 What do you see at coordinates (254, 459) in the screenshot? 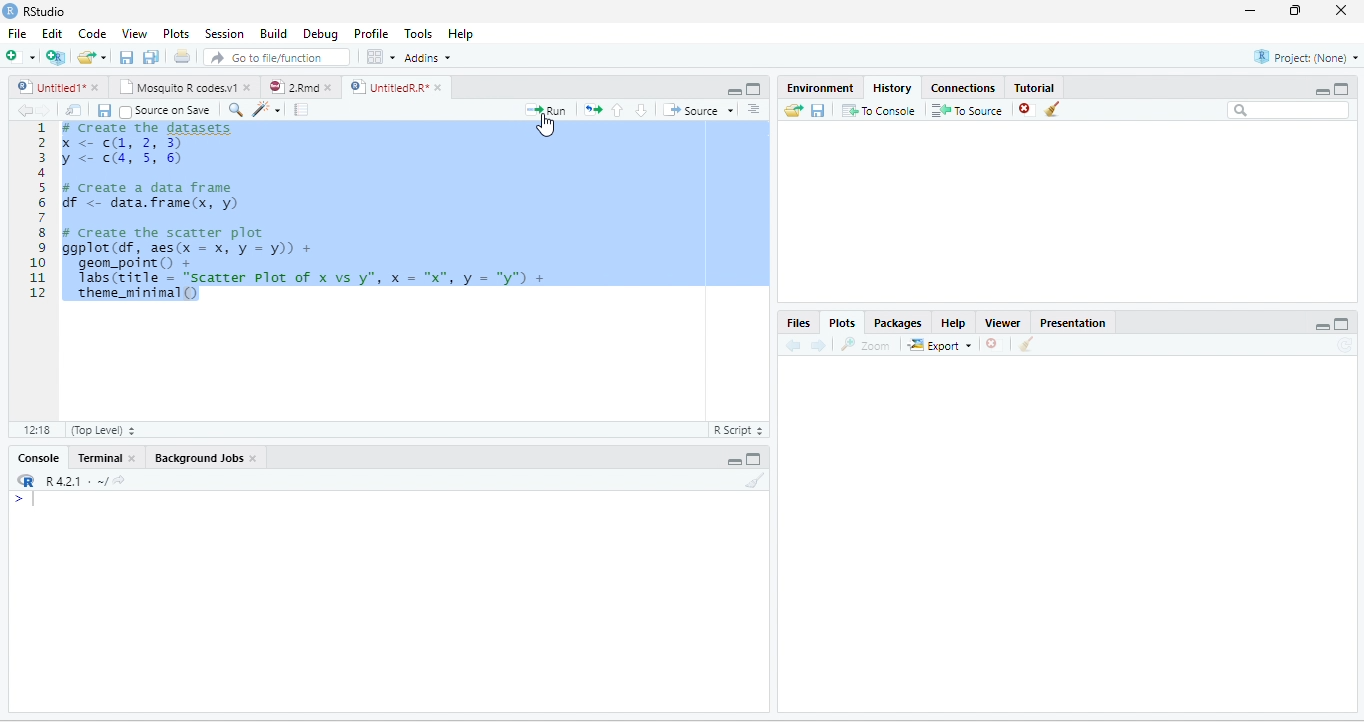
I see `close` at bounding box center [254, 459].